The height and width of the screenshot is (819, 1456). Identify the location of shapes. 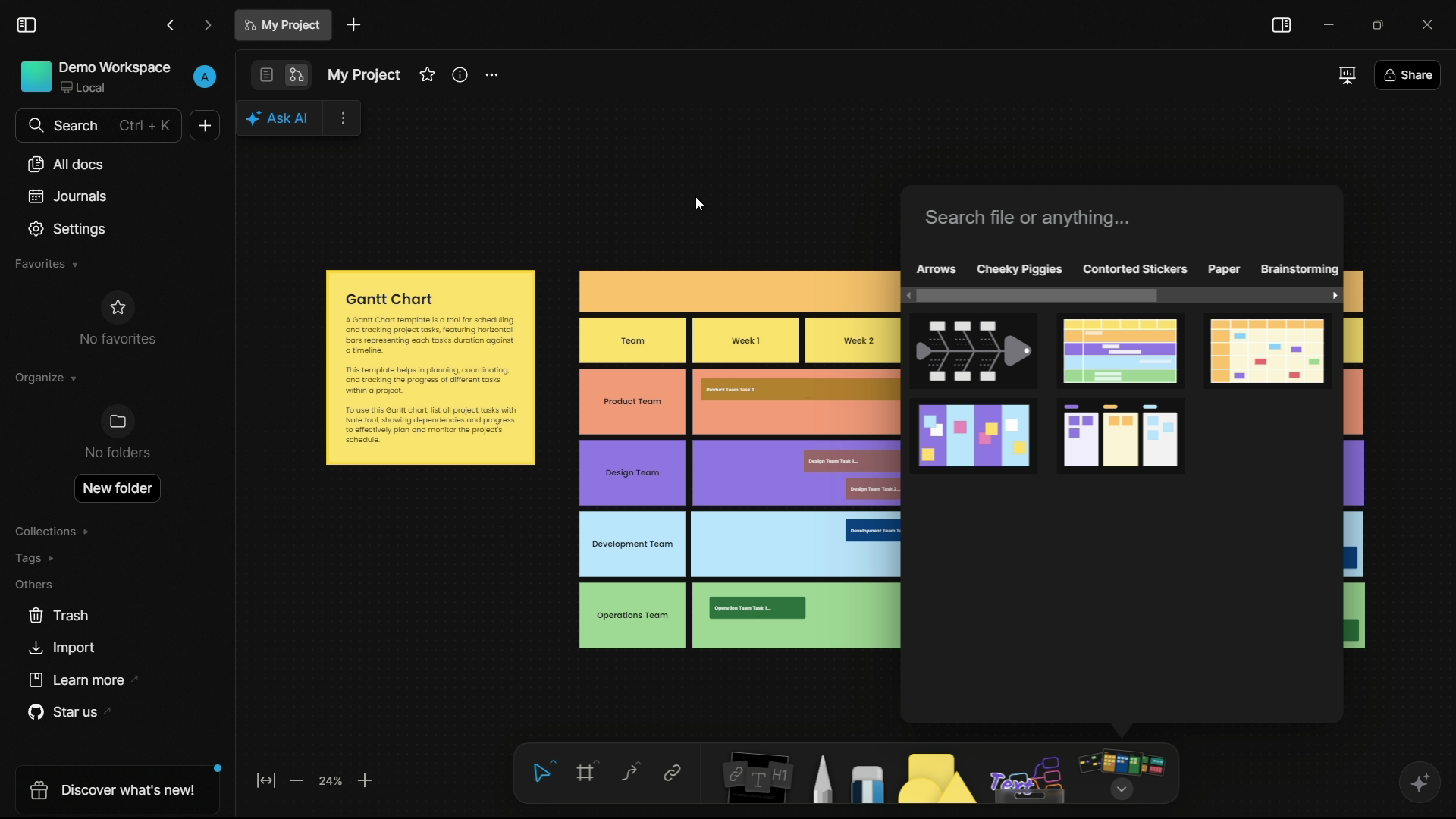
(939, 780).